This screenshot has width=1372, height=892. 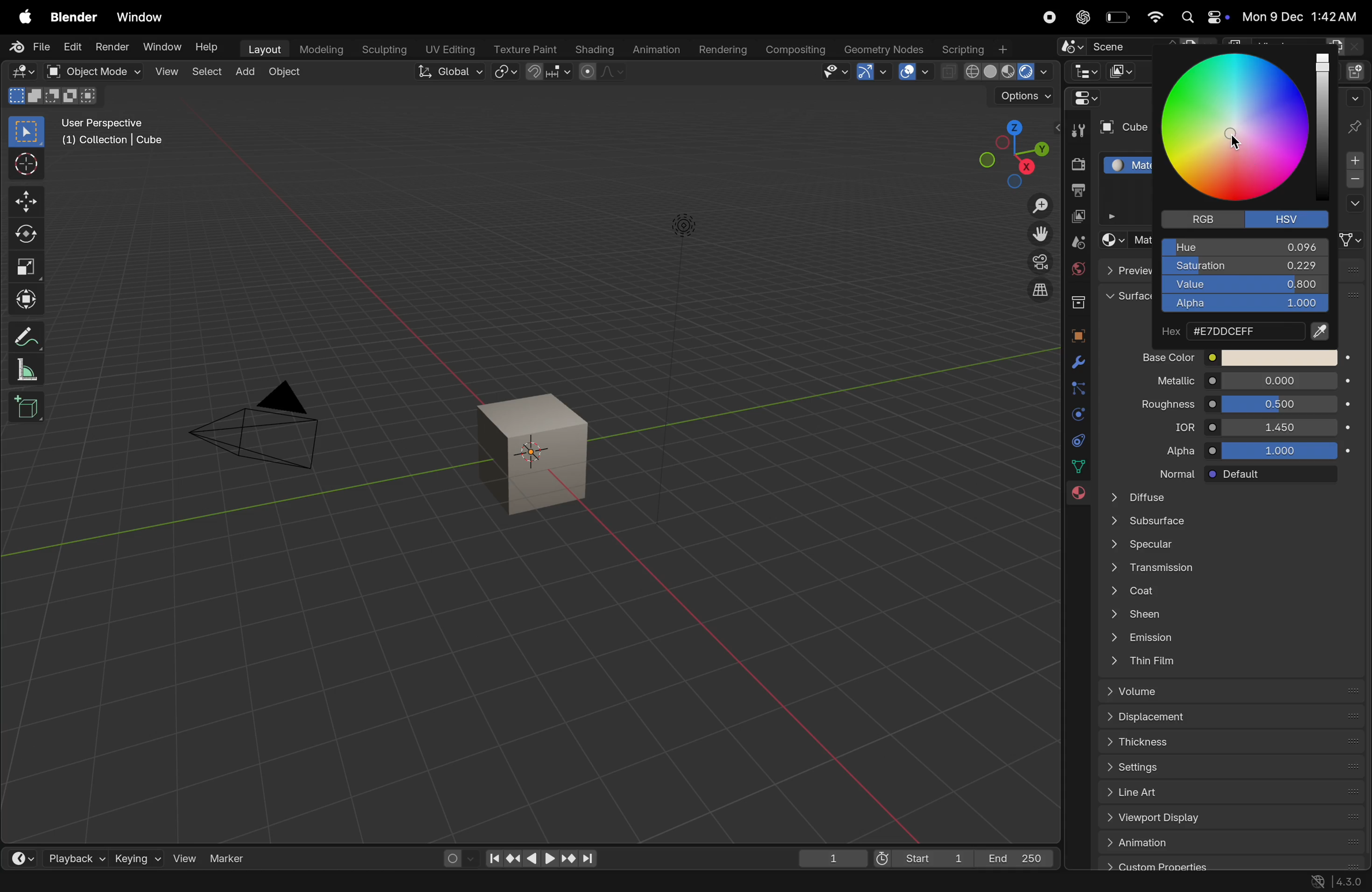 What do you see at coordinates (833, 859) in the screenshot?
I see `1` at bounding box center [833, 859].